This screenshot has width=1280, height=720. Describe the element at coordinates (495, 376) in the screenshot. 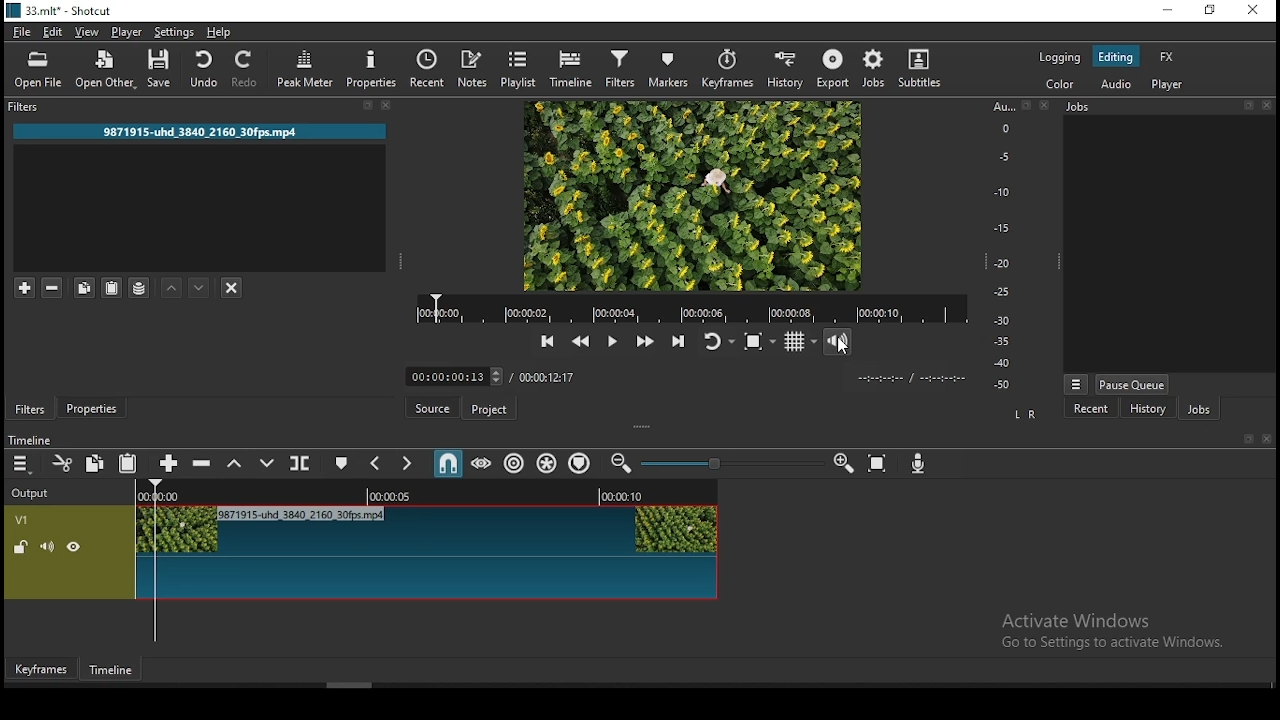

I see `timer` at that location.